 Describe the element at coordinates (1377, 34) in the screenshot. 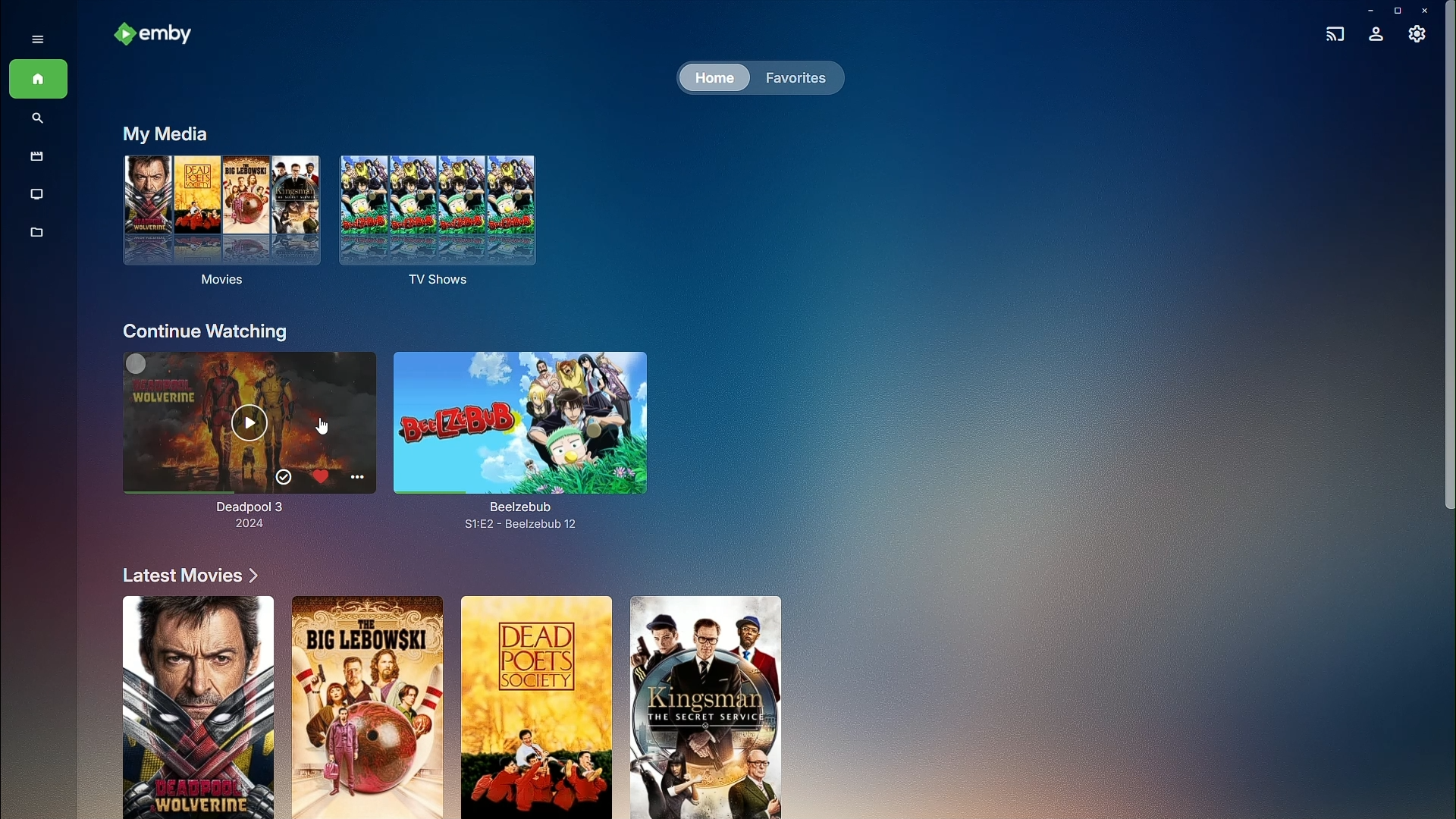

I see `Account` at that location.